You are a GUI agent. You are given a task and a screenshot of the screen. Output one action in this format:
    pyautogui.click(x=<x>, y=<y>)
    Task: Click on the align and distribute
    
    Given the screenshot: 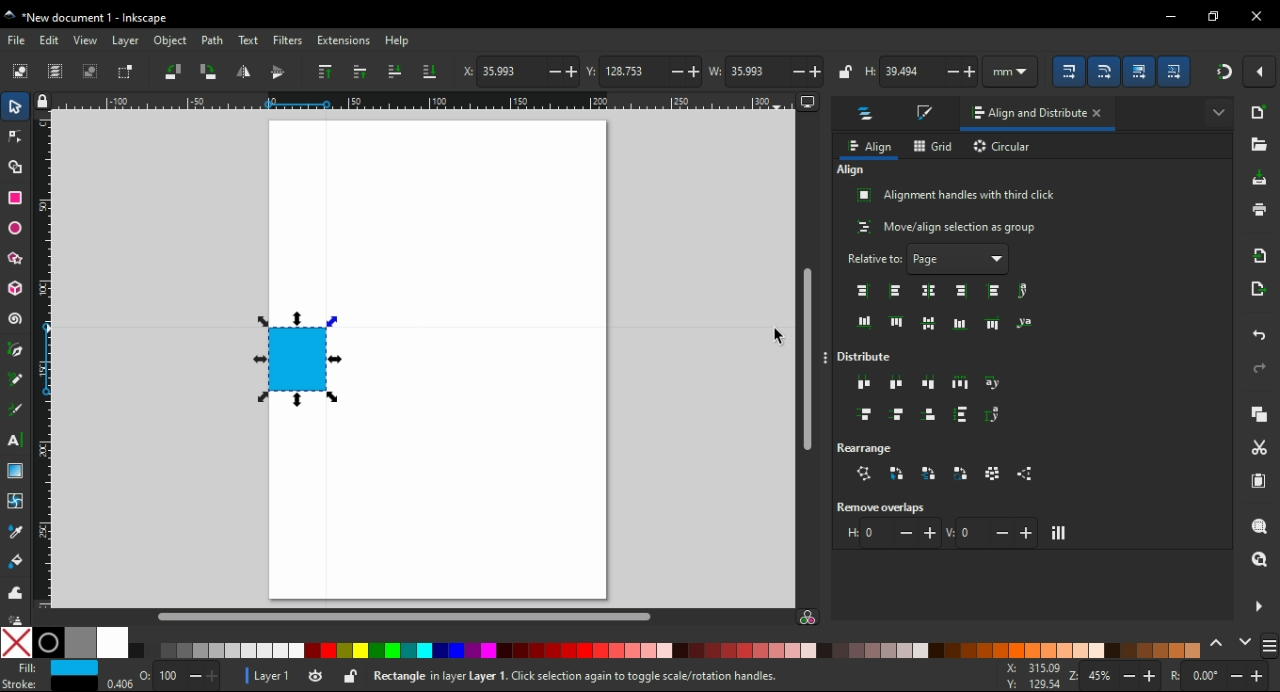 What is the action you would take?
    pyautogui.click(x=1020, y=115)
    